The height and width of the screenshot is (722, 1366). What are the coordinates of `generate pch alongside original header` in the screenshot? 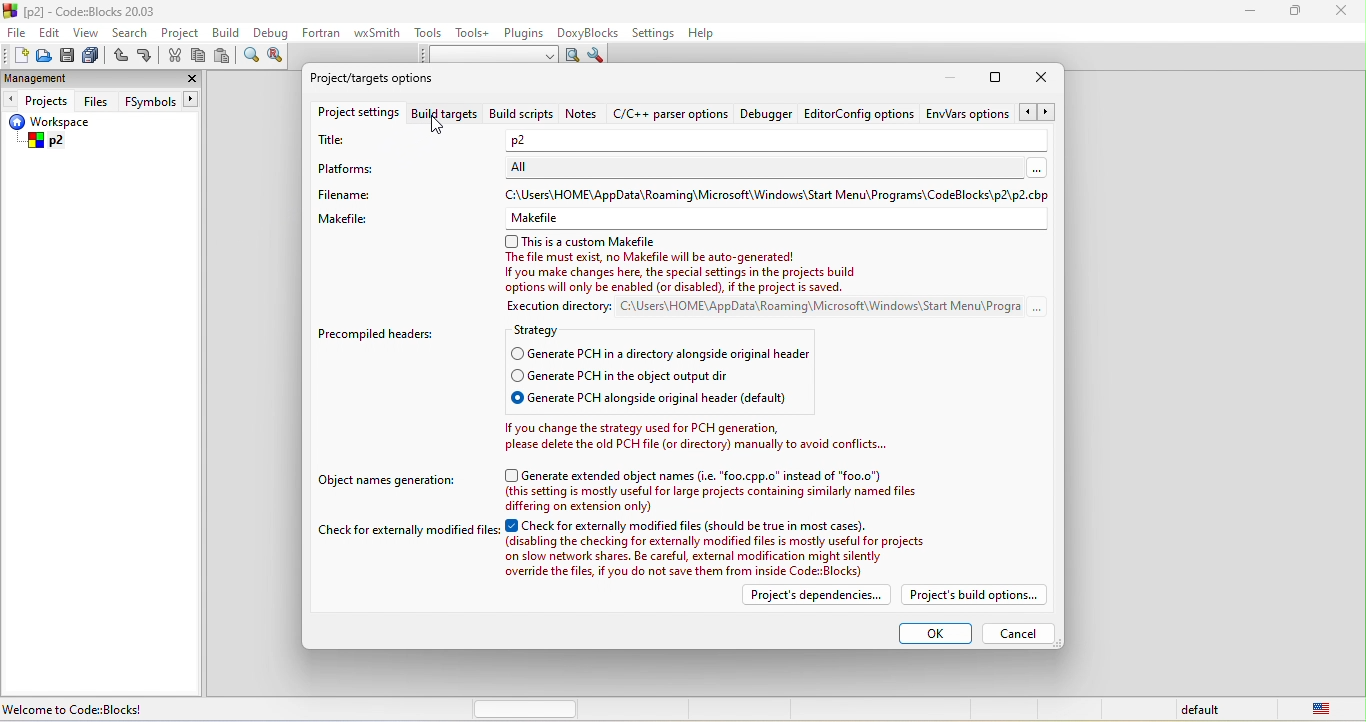 It's located at (675, 398).